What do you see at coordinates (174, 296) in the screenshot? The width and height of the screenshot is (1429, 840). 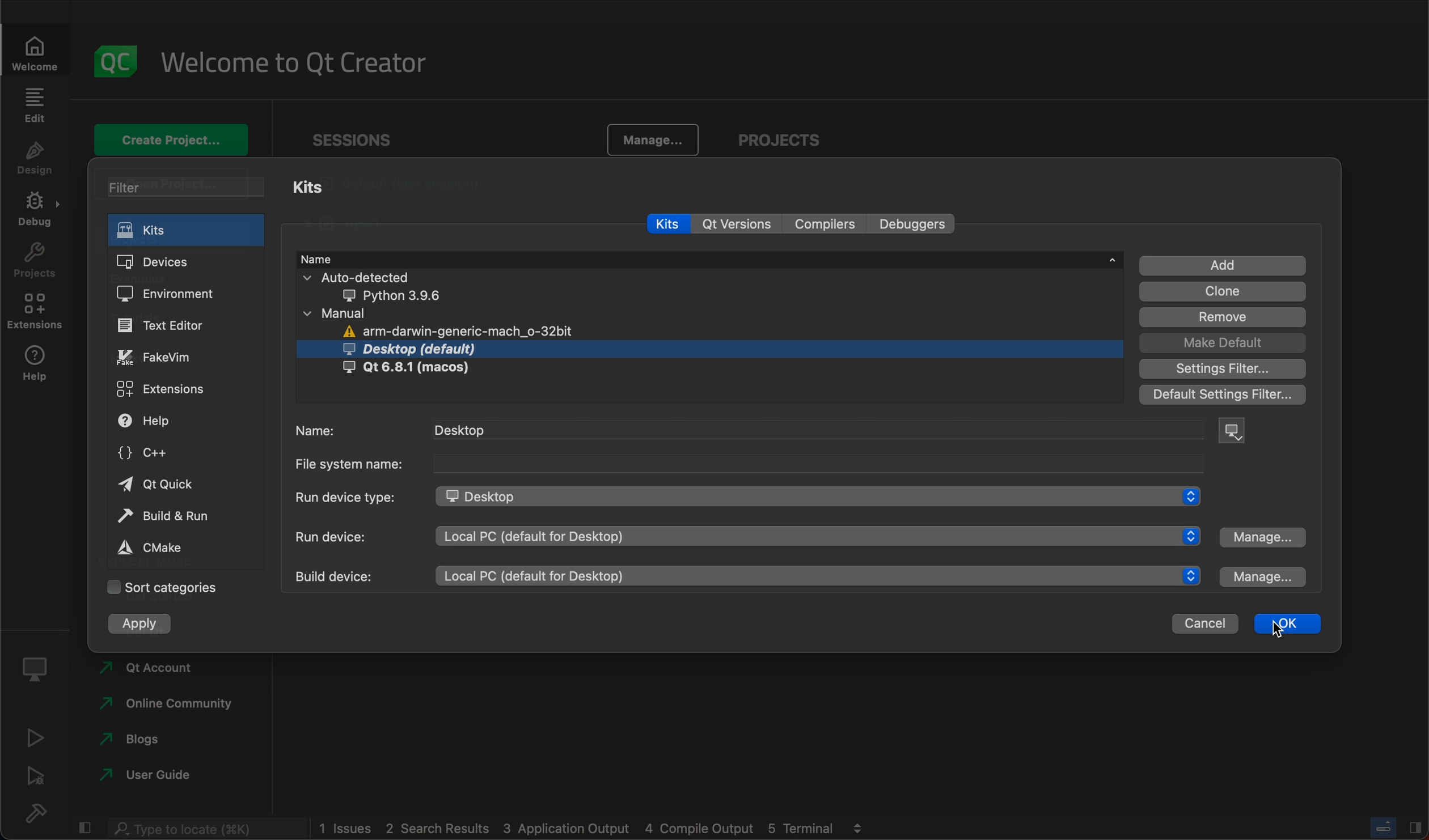 I see `environment` at bounding box center [174, 296].